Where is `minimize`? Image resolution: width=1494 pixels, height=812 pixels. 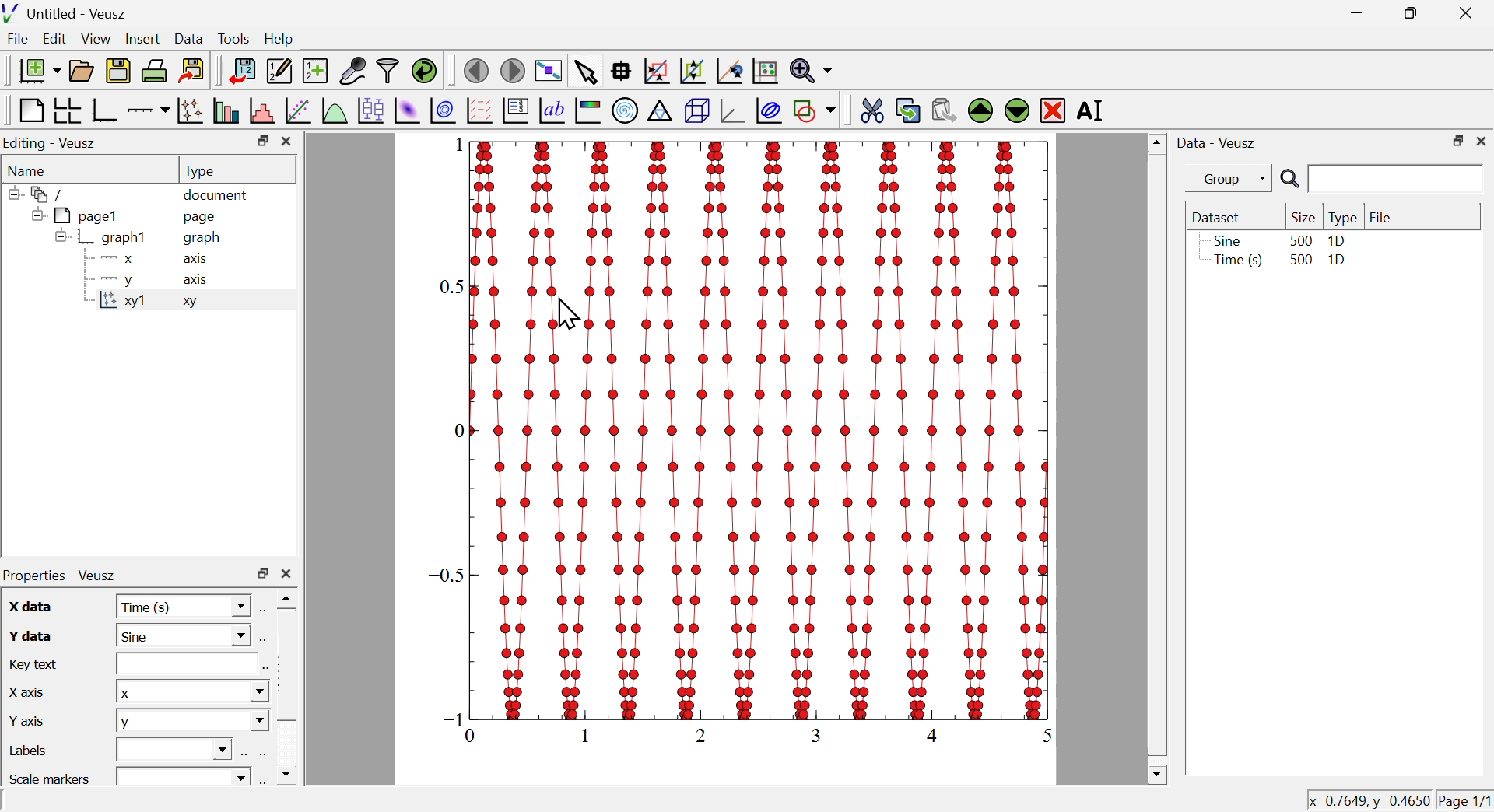
minimize is located at coordinates (1352, 13).